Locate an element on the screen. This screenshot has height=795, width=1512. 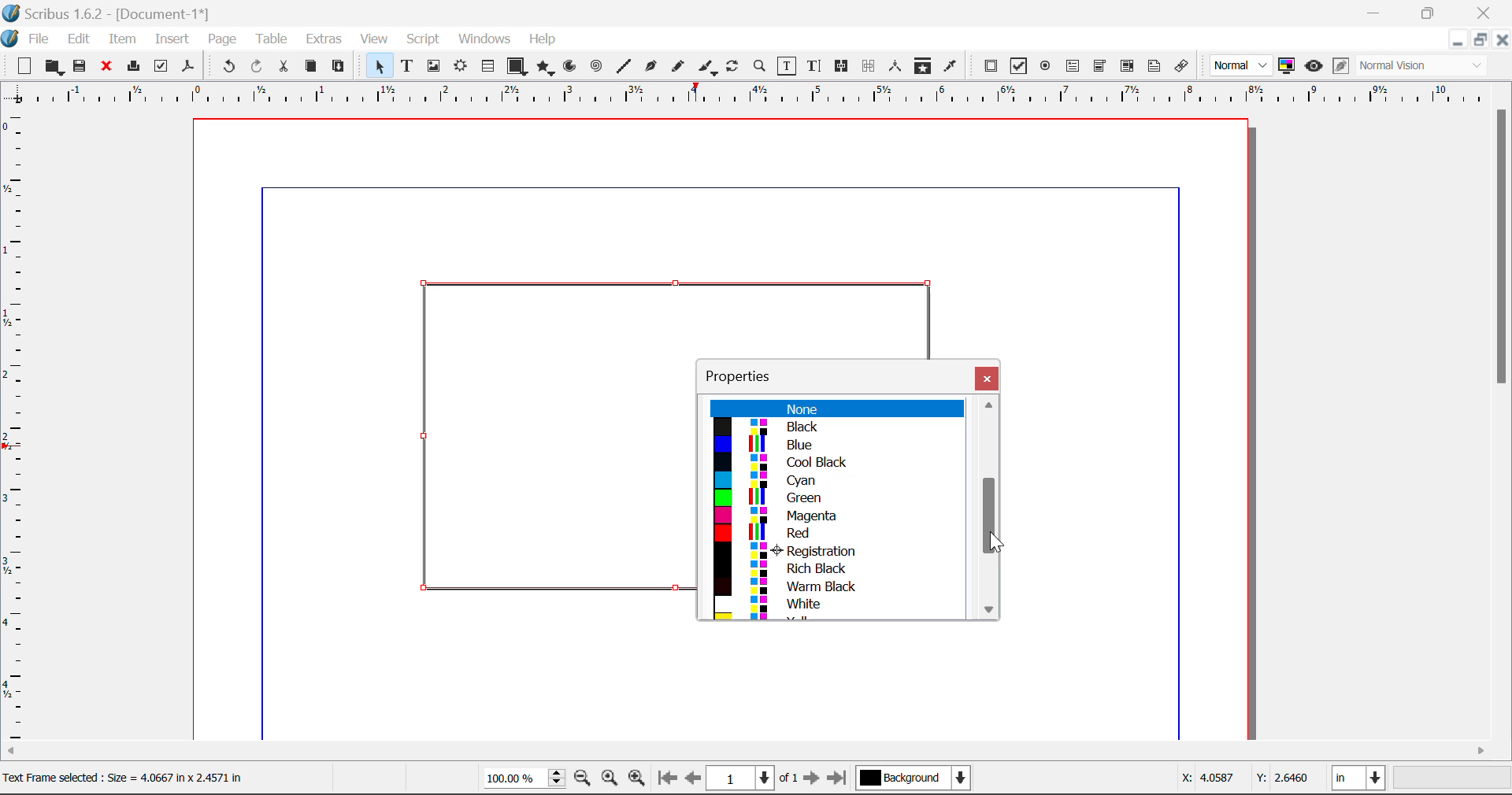
Blue is located at coordinates (836, 446).